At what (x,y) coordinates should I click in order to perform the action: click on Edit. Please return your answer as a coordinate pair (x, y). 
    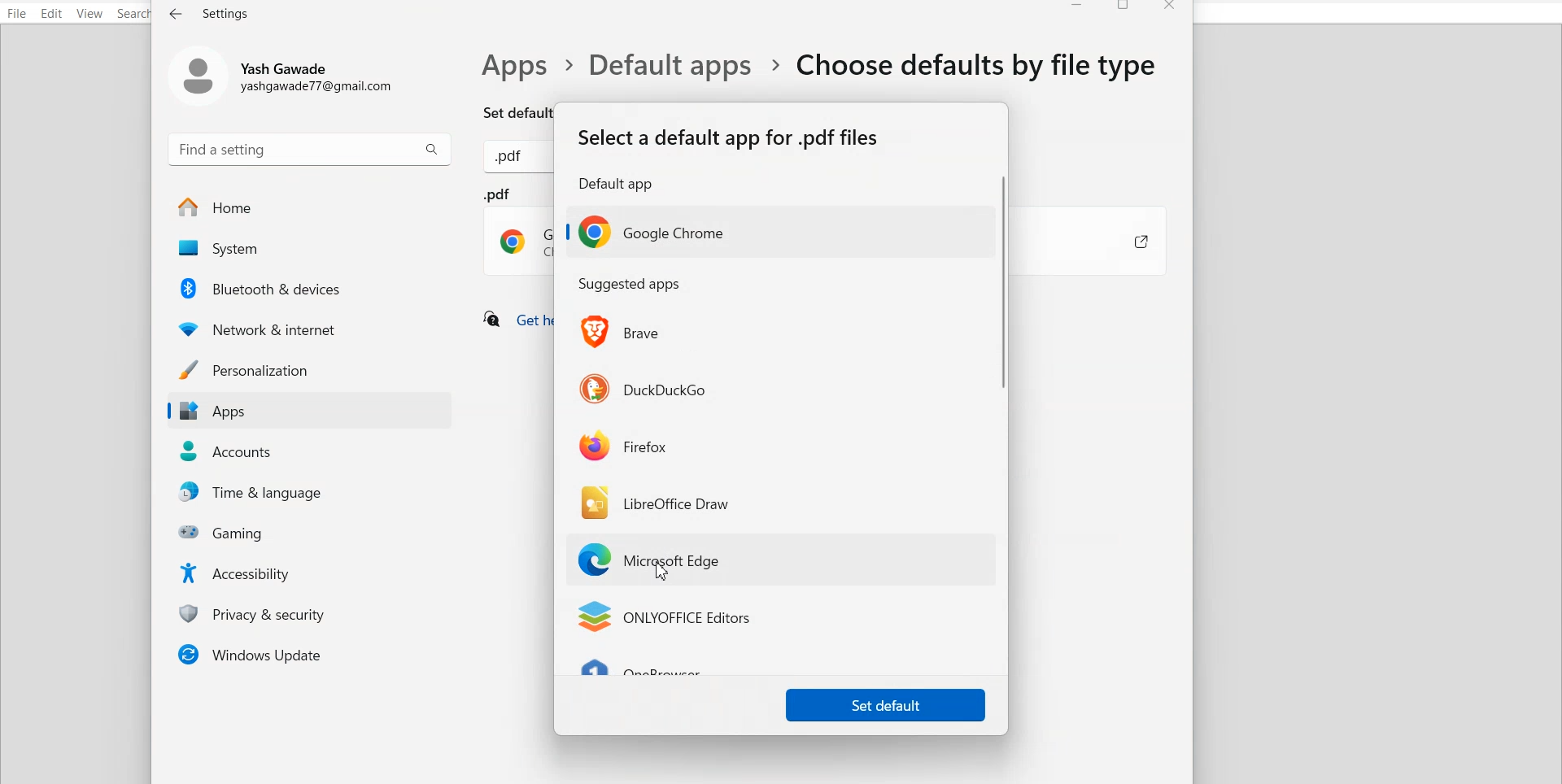
    Looking at the image, I should click on (52, 13).